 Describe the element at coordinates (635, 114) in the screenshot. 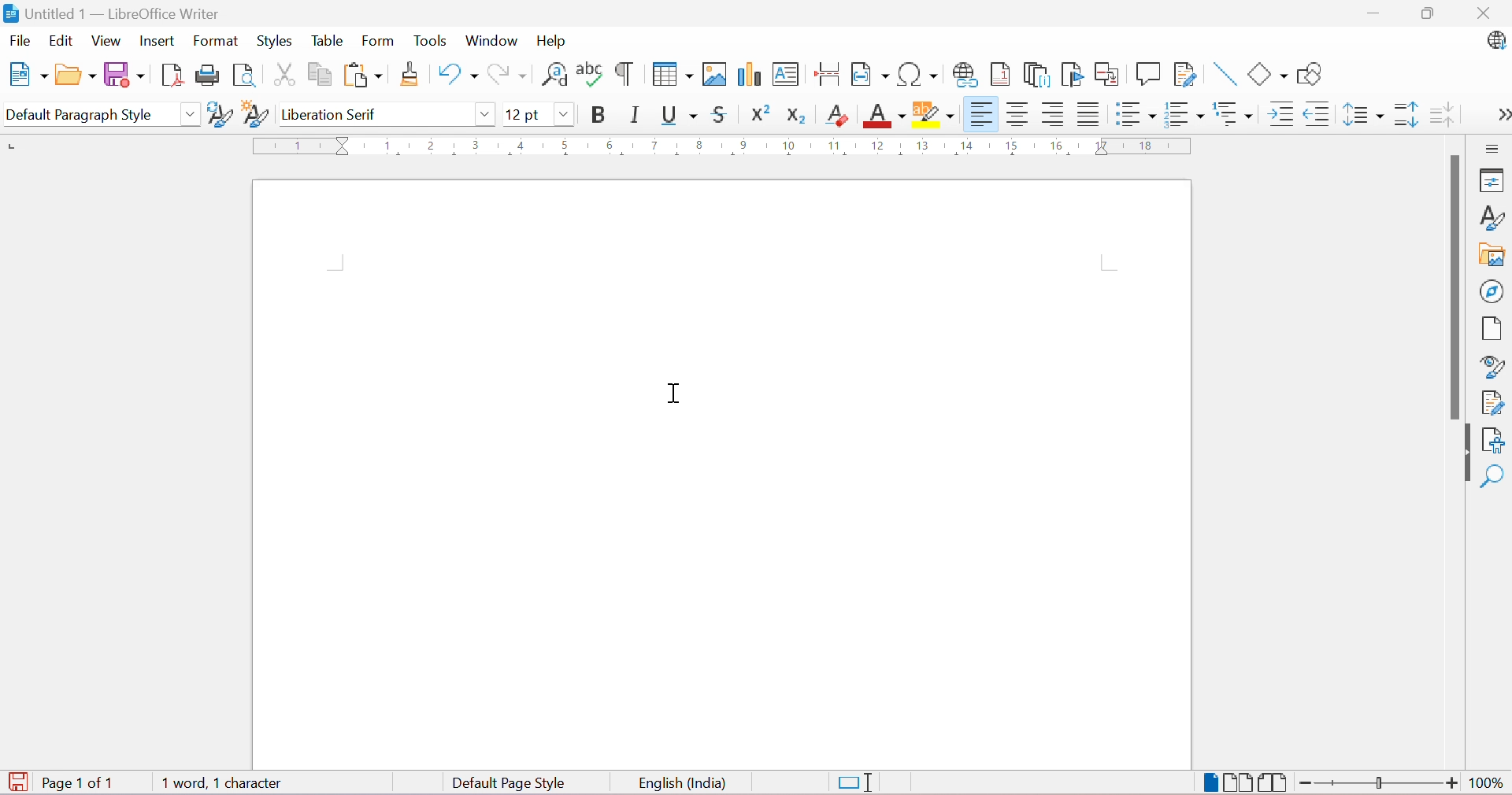

I see `Italic` at that location.